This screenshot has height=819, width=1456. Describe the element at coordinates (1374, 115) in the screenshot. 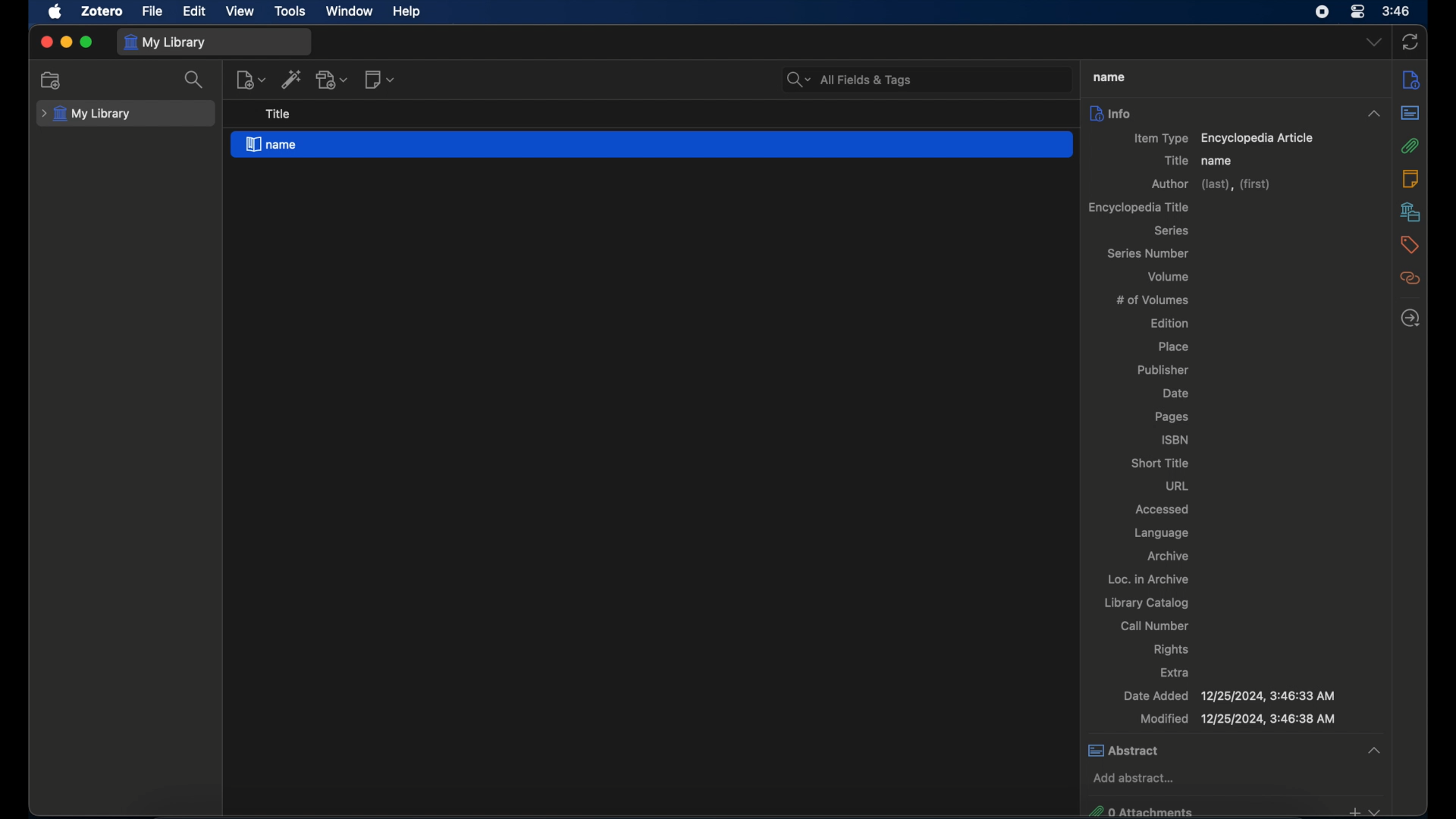

I see `info dropdown` at that location.